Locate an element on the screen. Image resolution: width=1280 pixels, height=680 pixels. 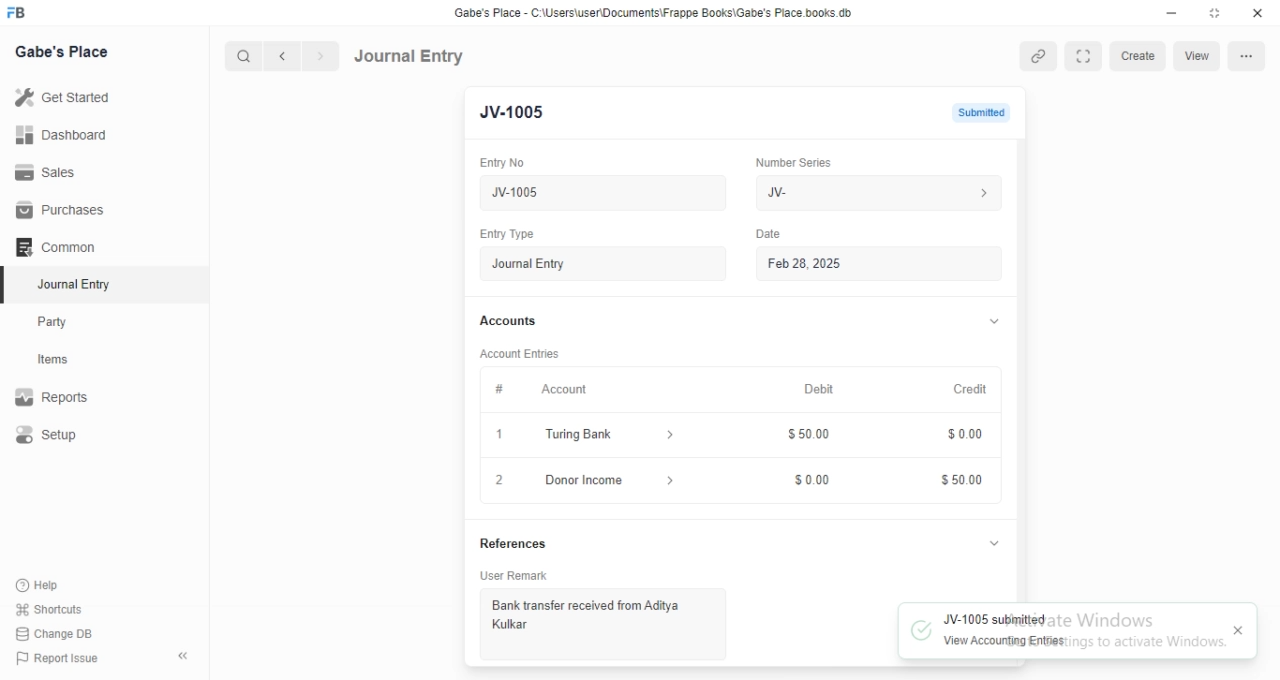
Get Started is located at coordinates (67, 97).